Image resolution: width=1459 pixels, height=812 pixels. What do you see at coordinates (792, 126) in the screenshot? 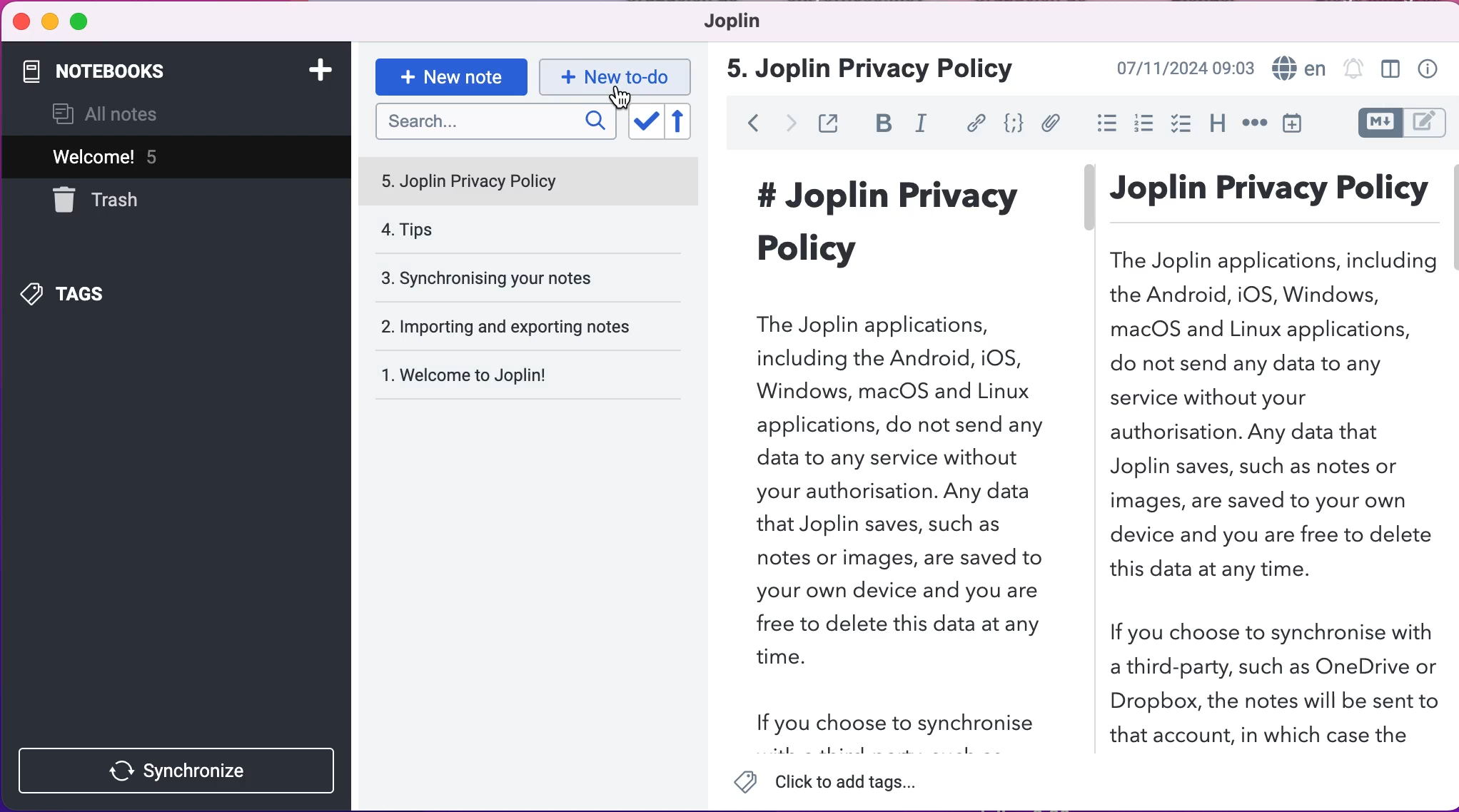
I see `forward` at bounding box center [792, 126].